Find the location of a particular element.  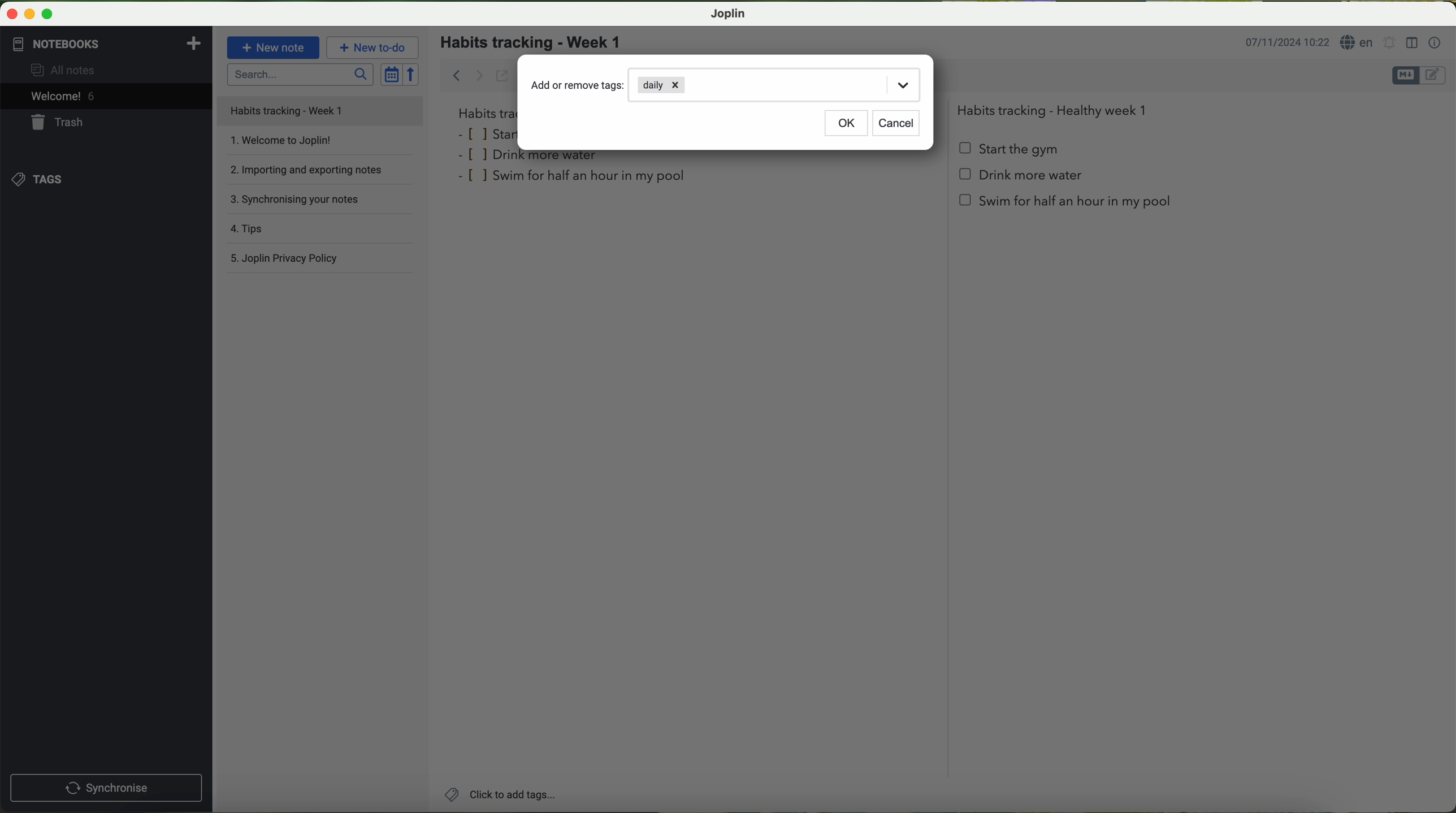

language is located at coordinates (1358, 42).